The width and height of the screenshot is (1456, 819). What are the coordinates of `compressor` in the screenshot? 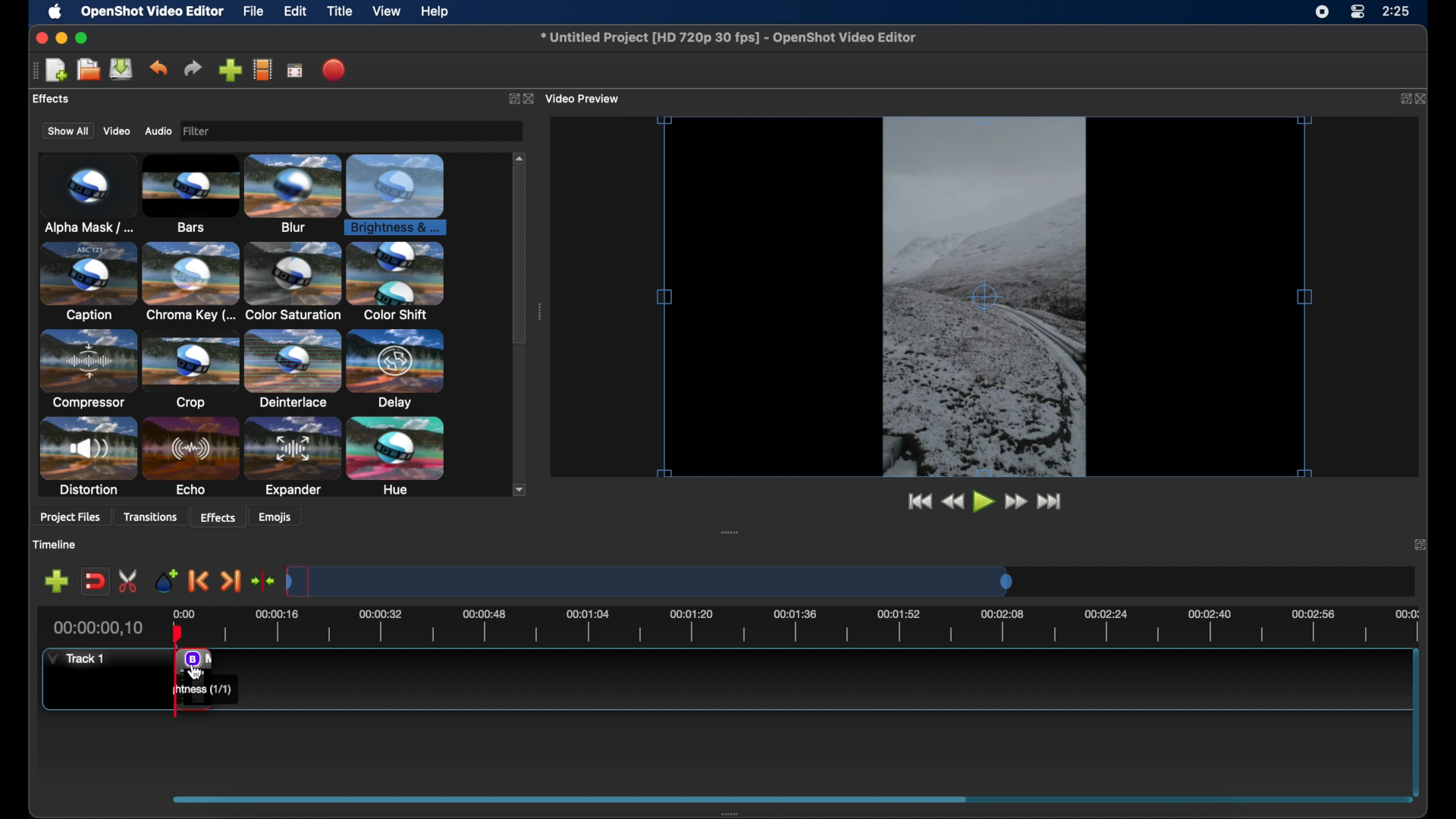 It's located at (86, 369).